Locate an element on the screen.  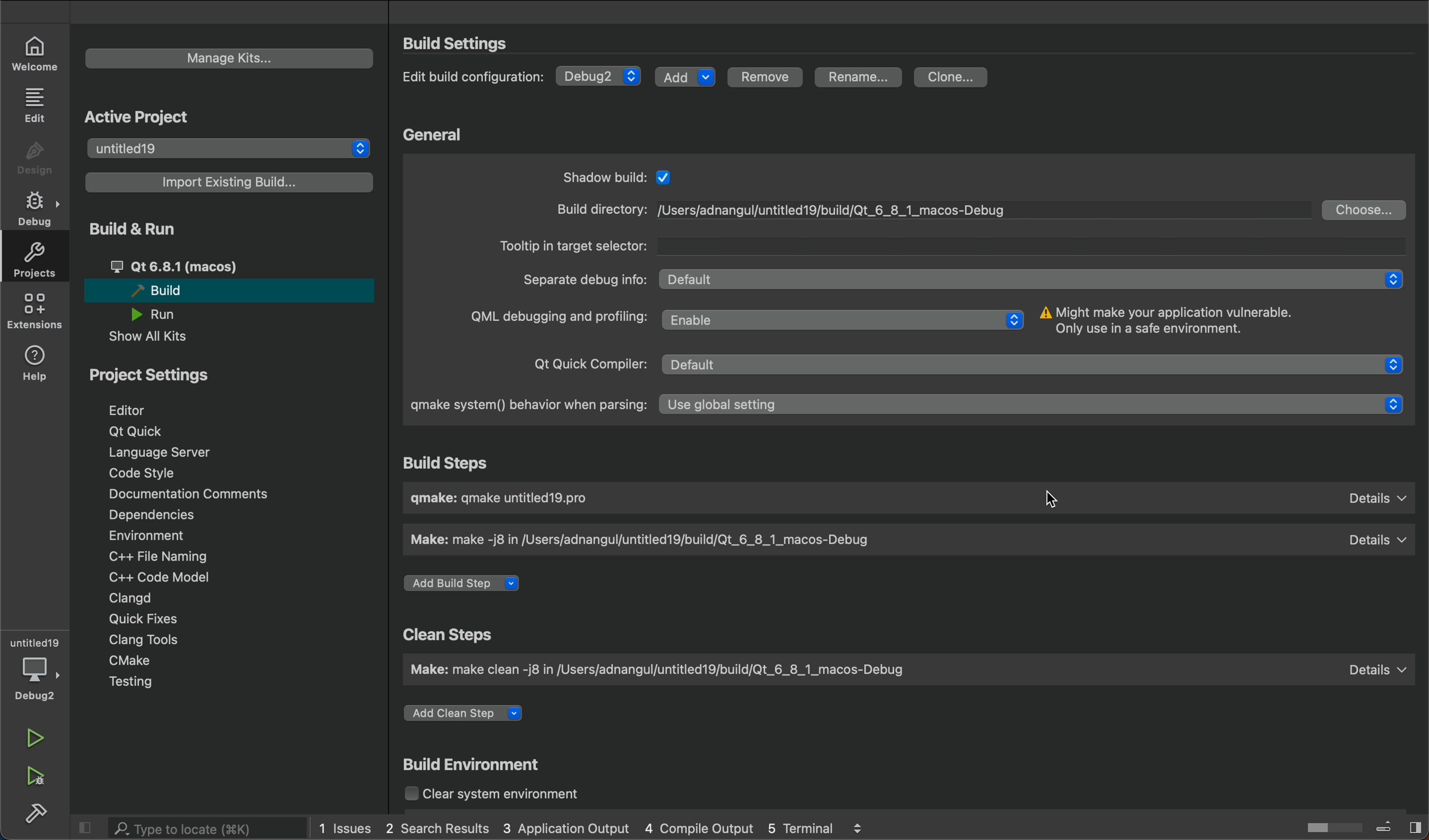
debug is located at coordinates (39, 209).